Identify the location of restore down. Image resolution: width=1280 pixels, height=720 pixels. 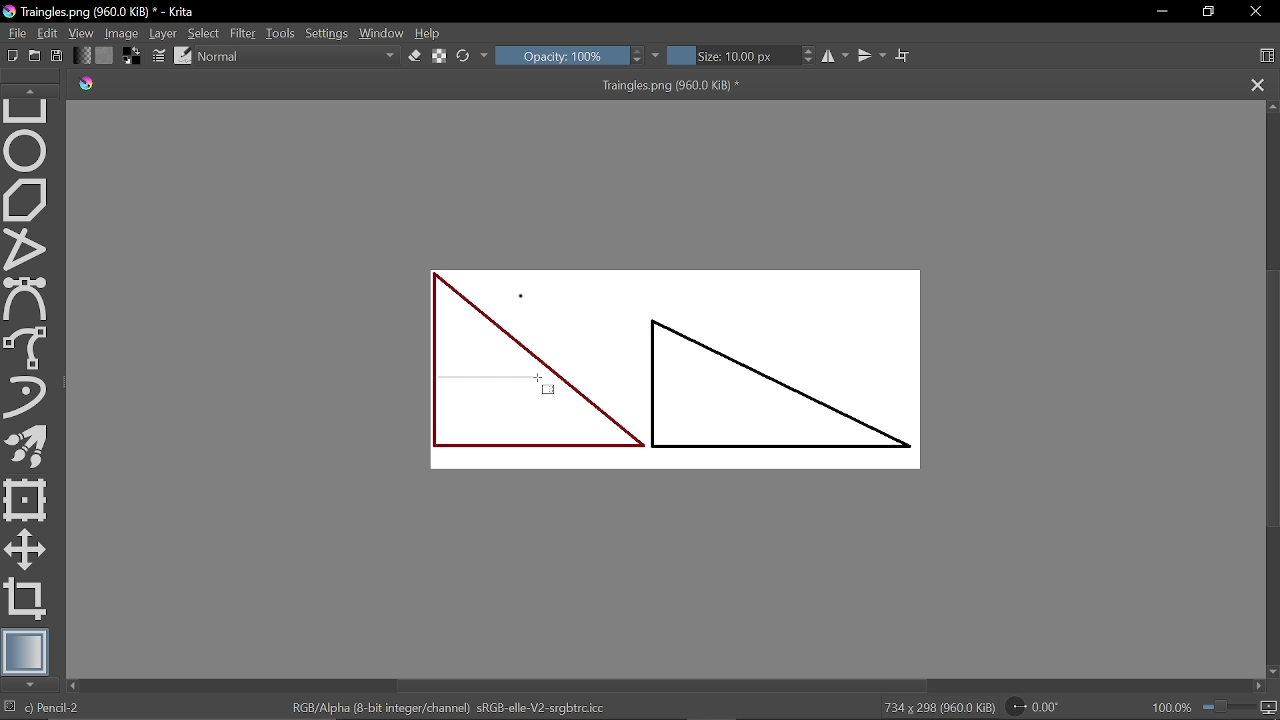
(1211, 11).